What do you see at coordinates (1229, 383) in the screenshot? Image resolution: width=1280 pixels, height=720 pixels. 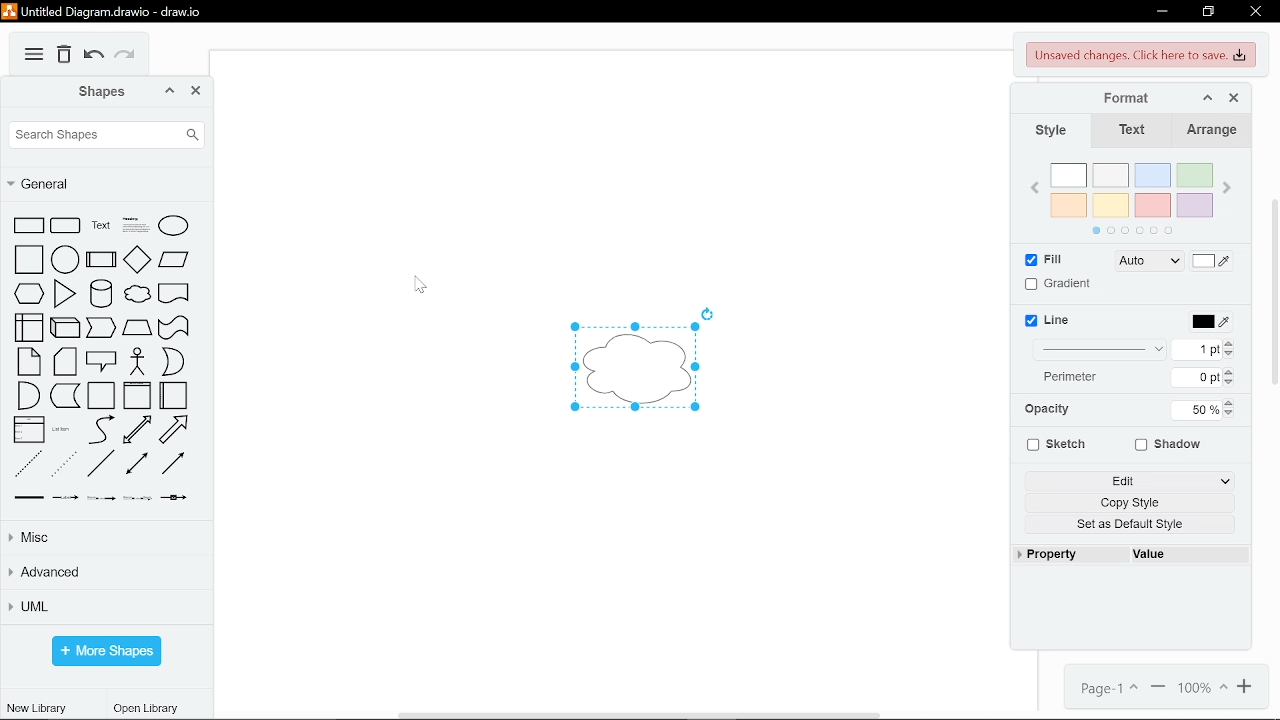 I see `decrease perimeter` at bounding box center [1229, 383].